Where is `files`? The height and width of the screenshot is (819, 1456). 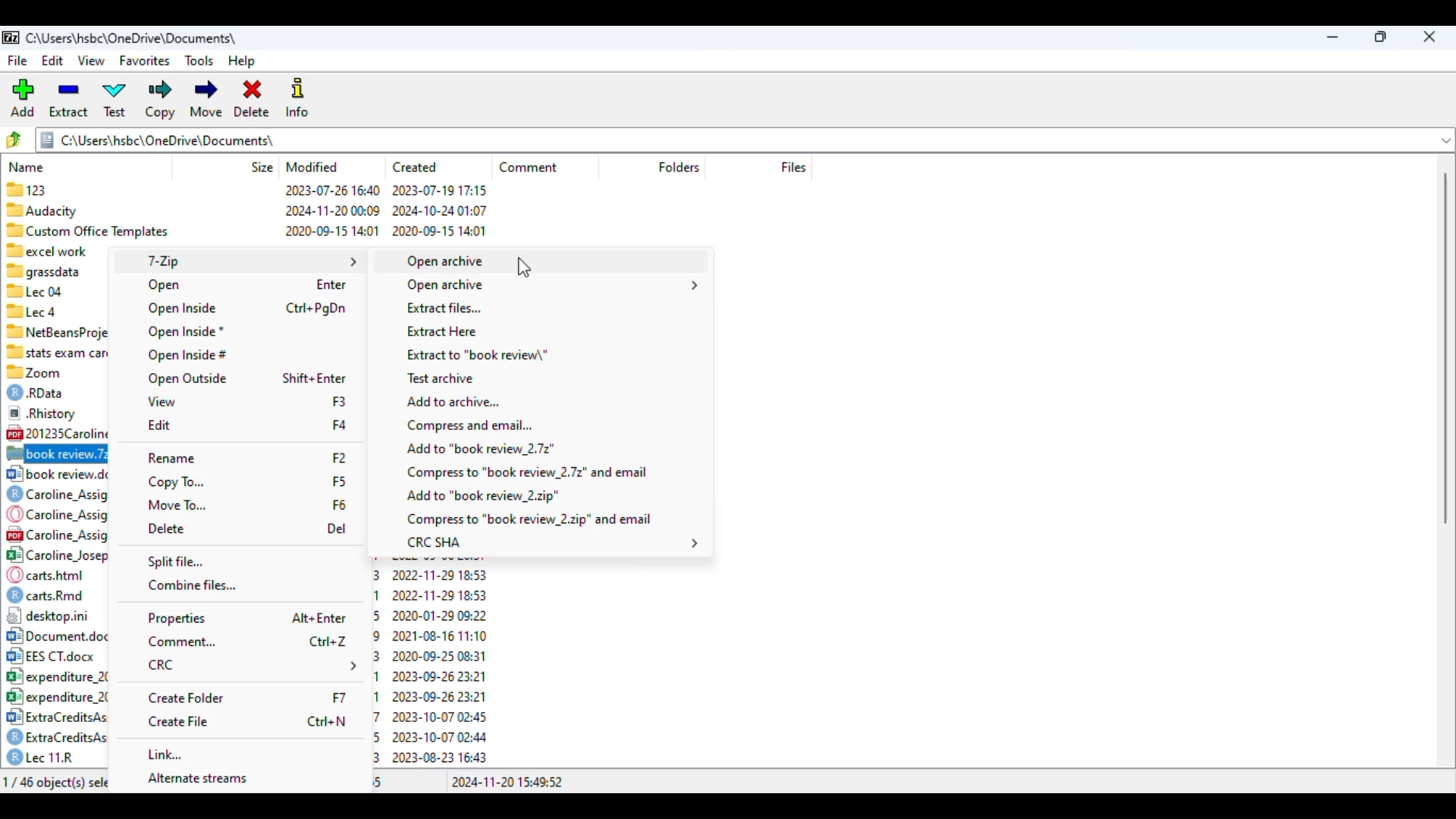
files is located at coordinates (792, 166).